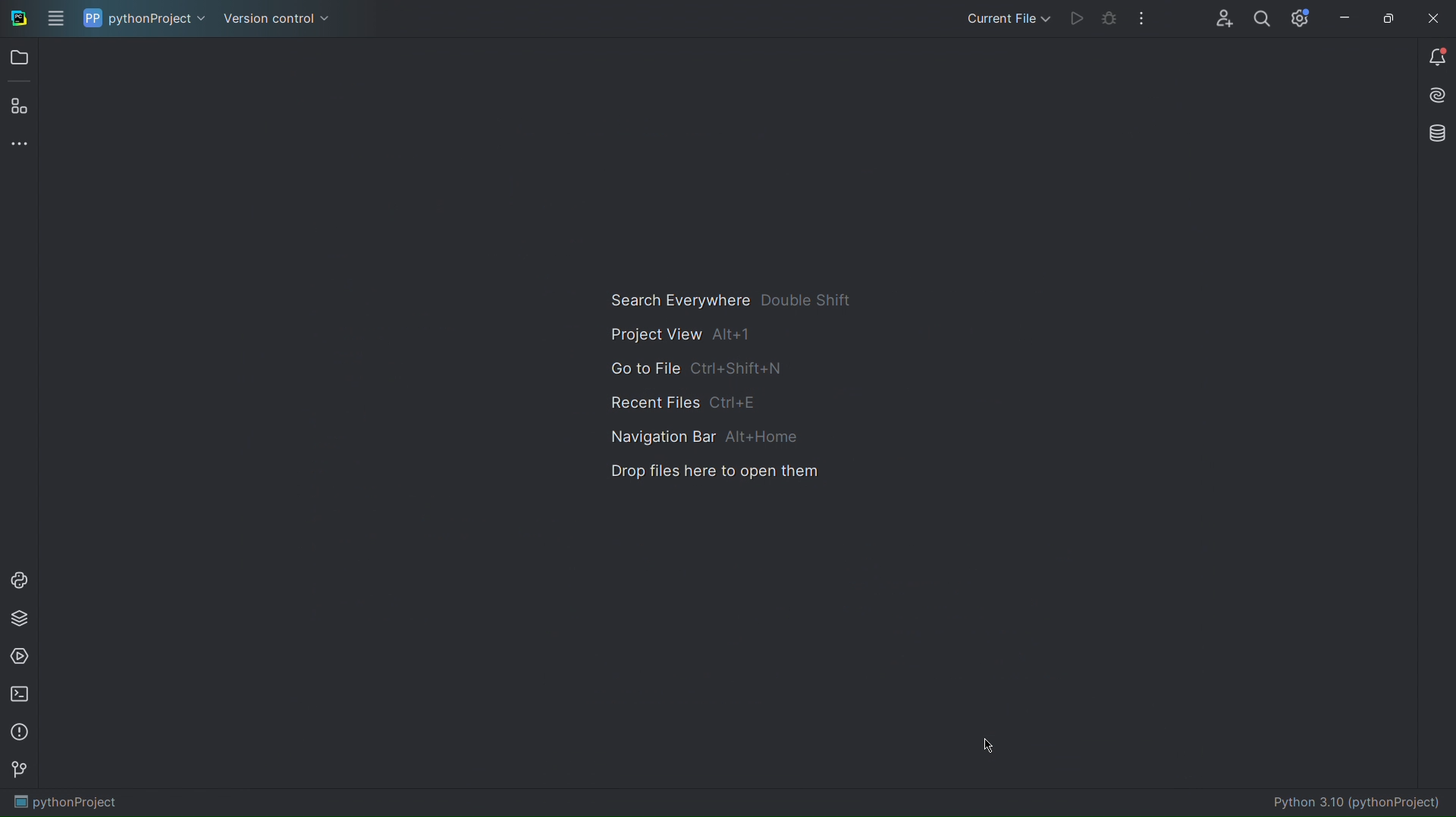  I want to click on Version Control, so click(278, 17).